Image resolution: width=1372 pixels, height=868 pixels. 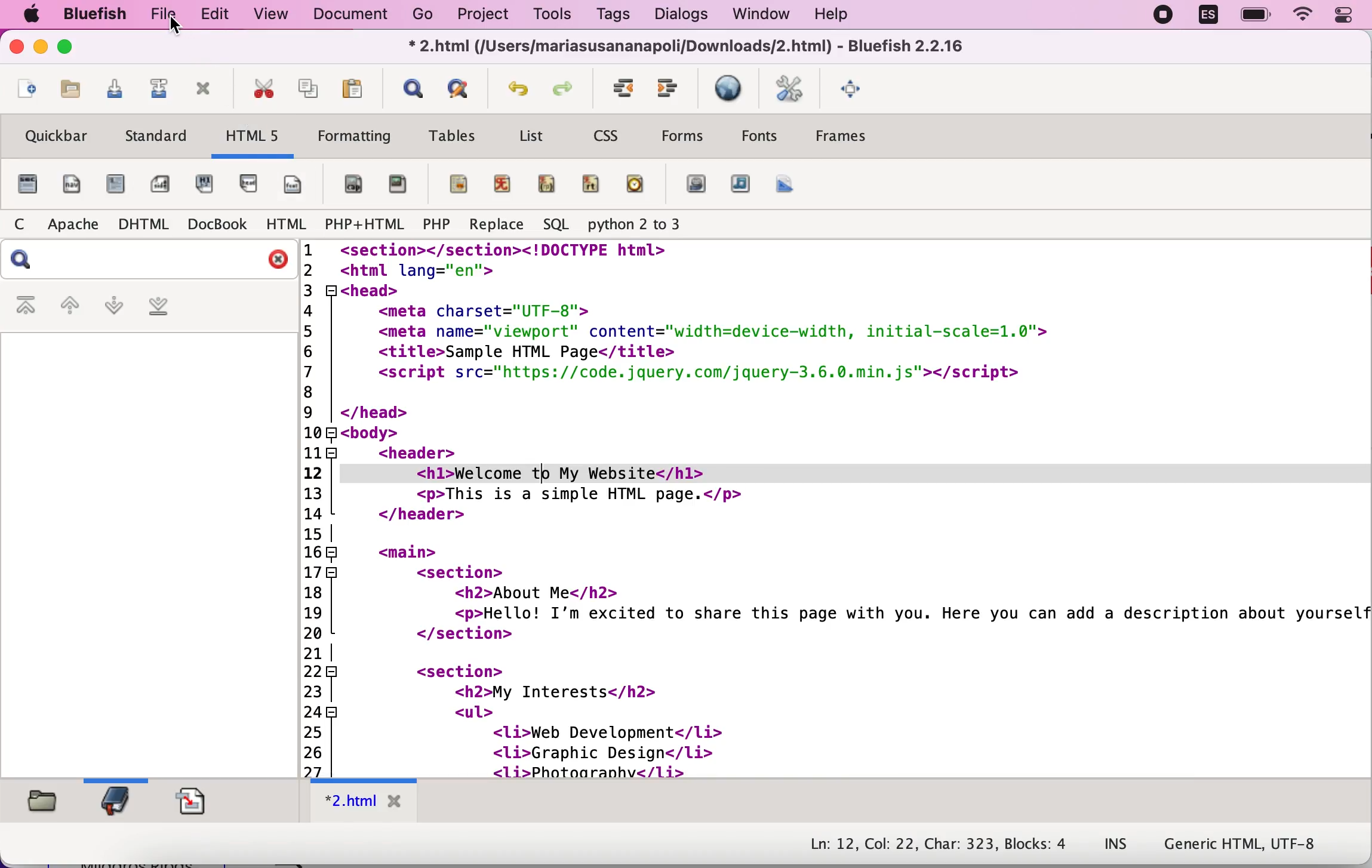 I want to click on footer, so click(x=295, y=184).